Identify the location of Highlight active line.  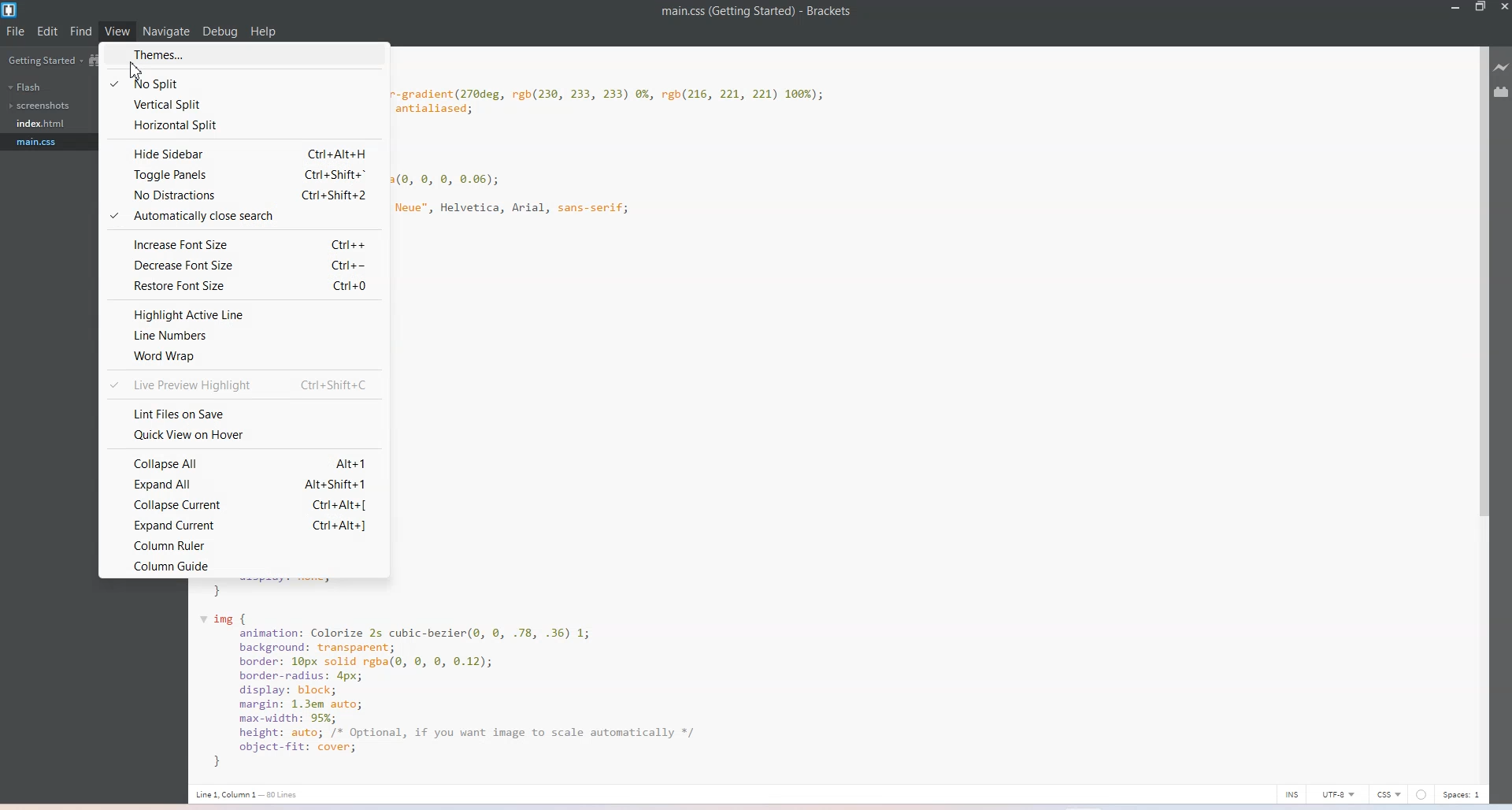
(244, 313).